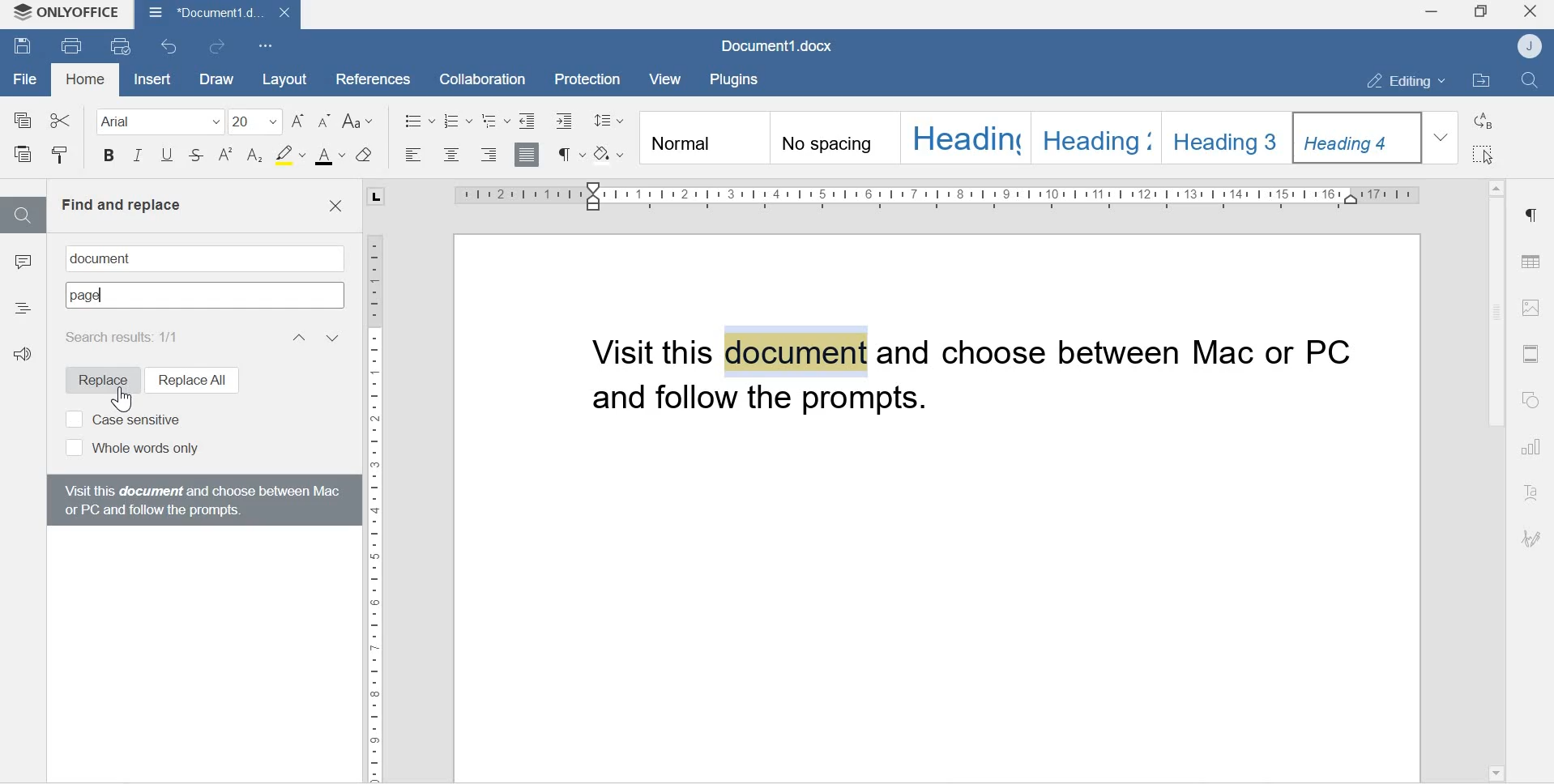  What do you see at coordinates (23, 266) in the screenshot?
I see `Comments` at bounding box center [23, 266].